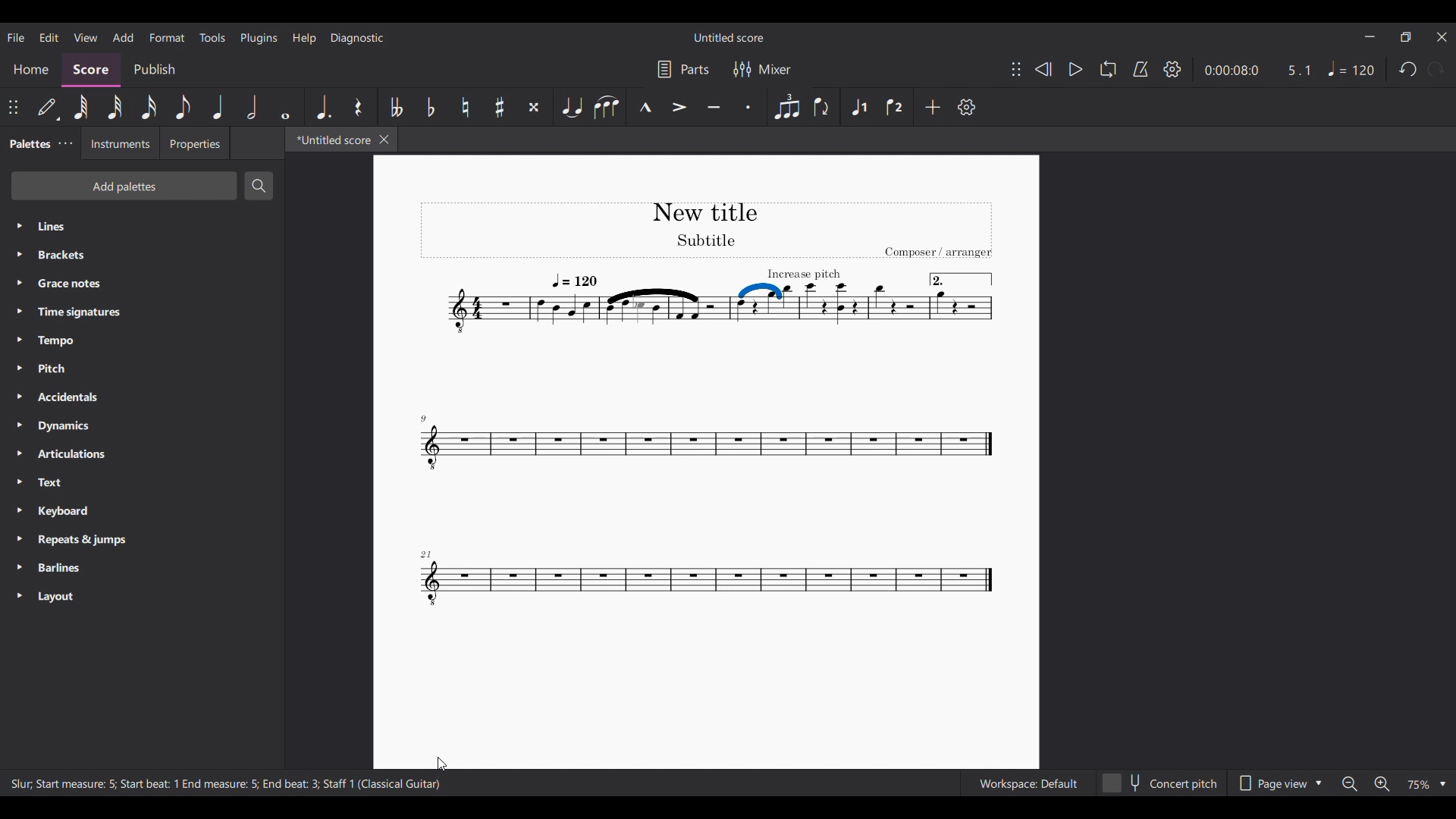 Image resolution: width=1456 pixels, height=819 pixels. Describe the element at coordinates (124, 38) in the screenshot. I see `Add menu` at that location.